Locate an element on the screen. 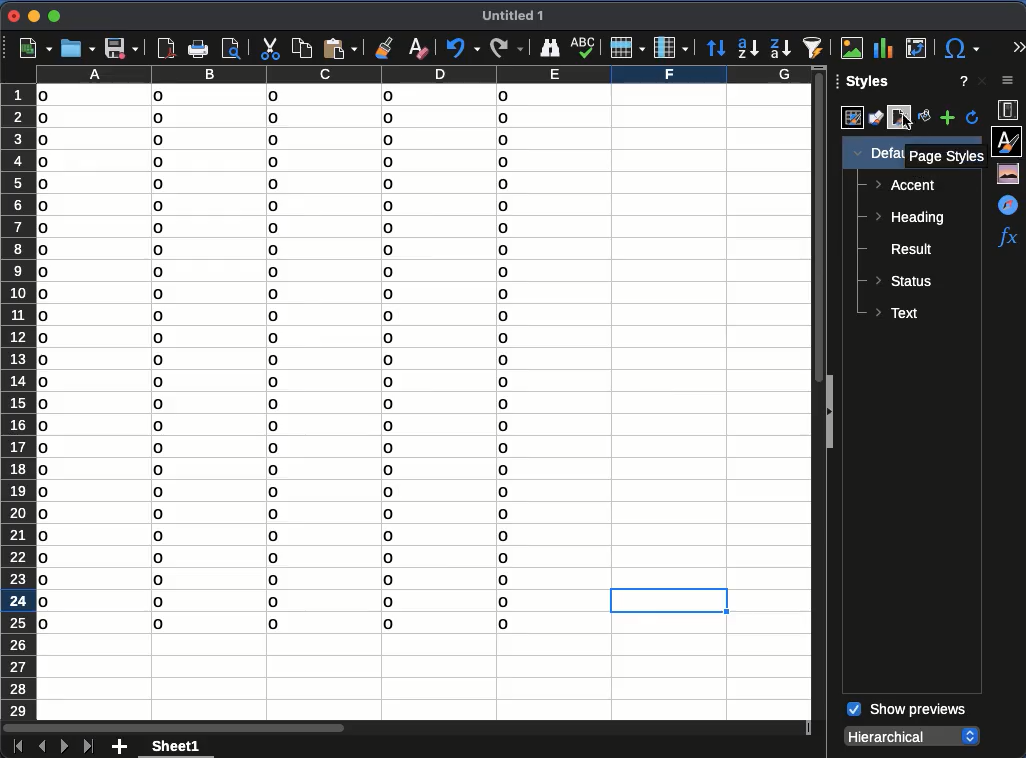 The image size is (1026, 758). next sheet is located at coordinates (62, 747).